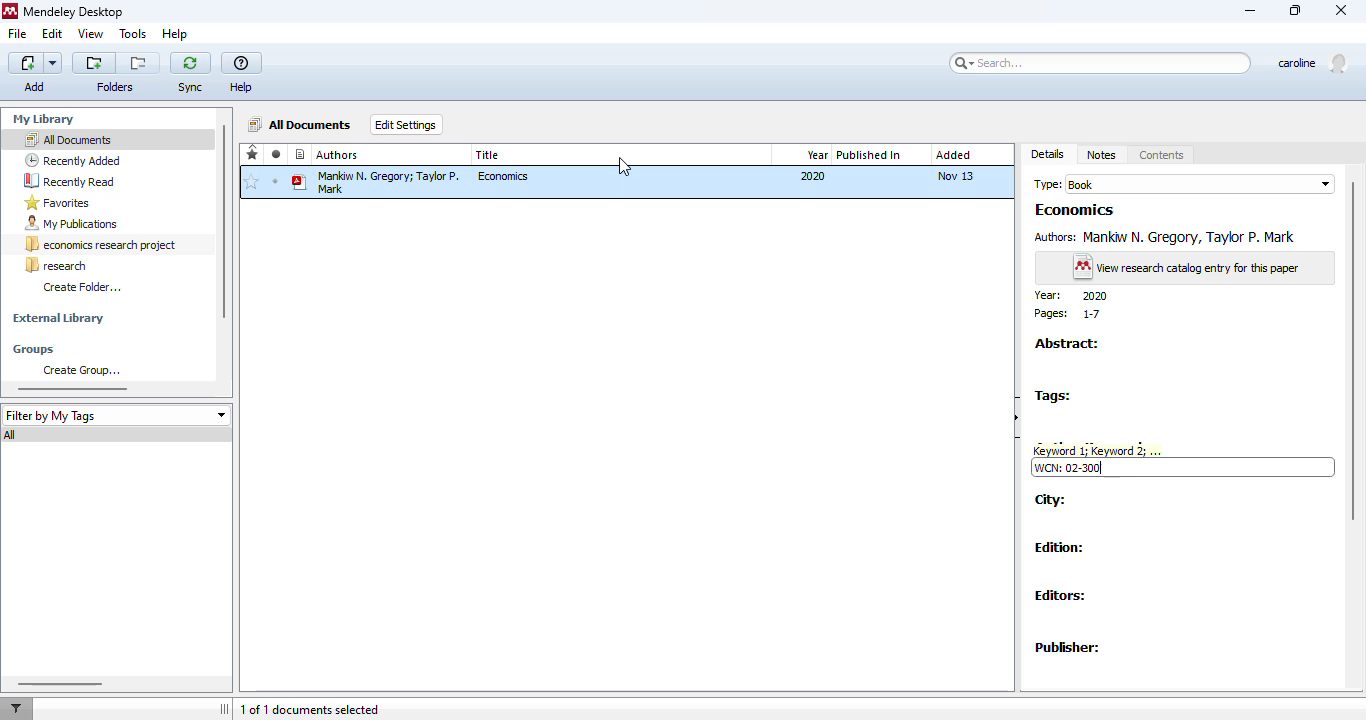 The height and width of the screenshot is (720, 1366). Describe the element at coordinates (44, 118) in the screenshot. I see `my library` at that location.